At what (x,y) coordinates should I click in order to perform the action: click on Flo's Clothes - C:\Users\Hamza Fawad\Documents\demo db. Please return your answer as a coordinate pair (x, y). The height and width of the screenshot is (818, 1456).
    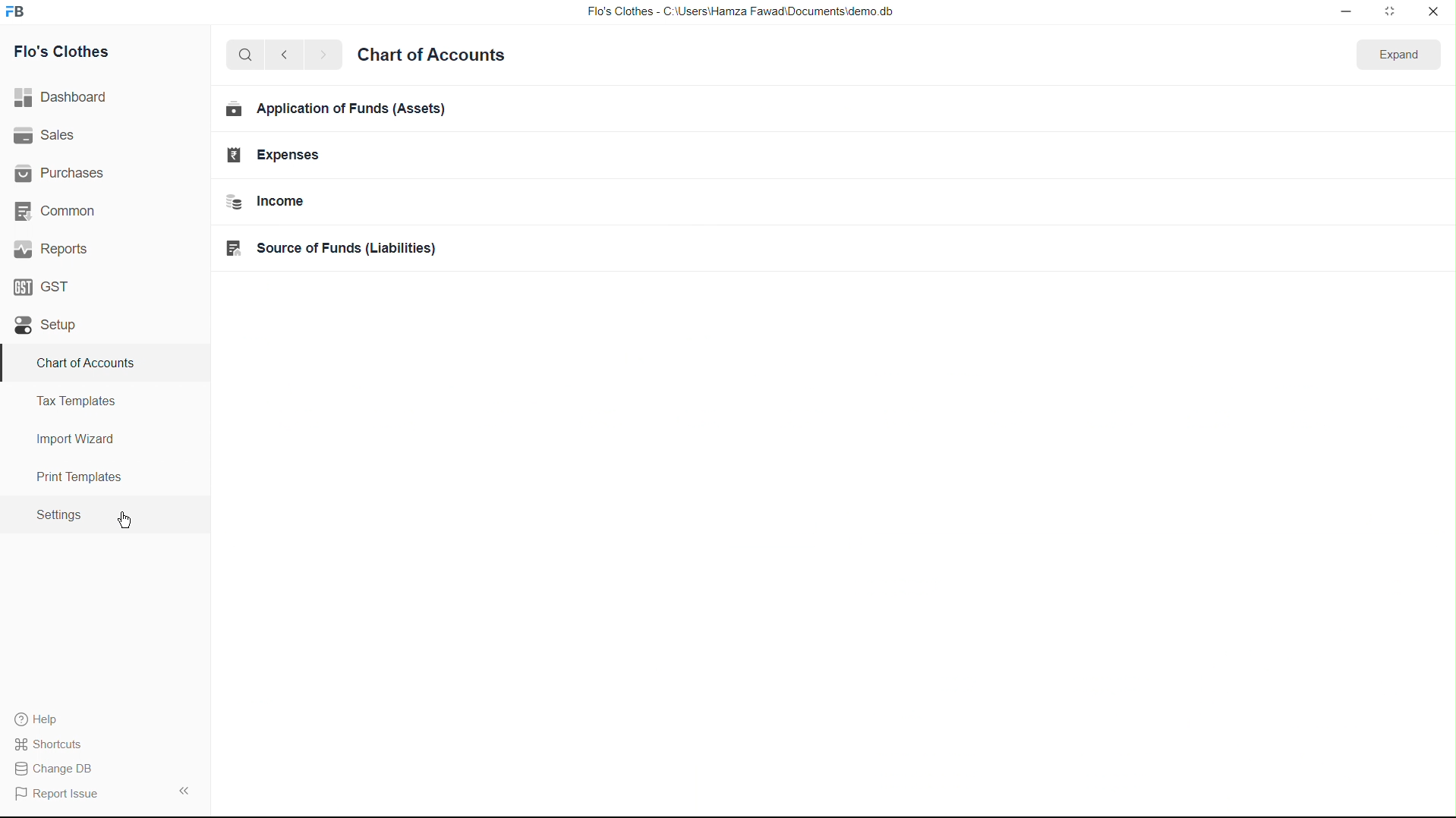
    Looking at the image, I should click on (739, 12).